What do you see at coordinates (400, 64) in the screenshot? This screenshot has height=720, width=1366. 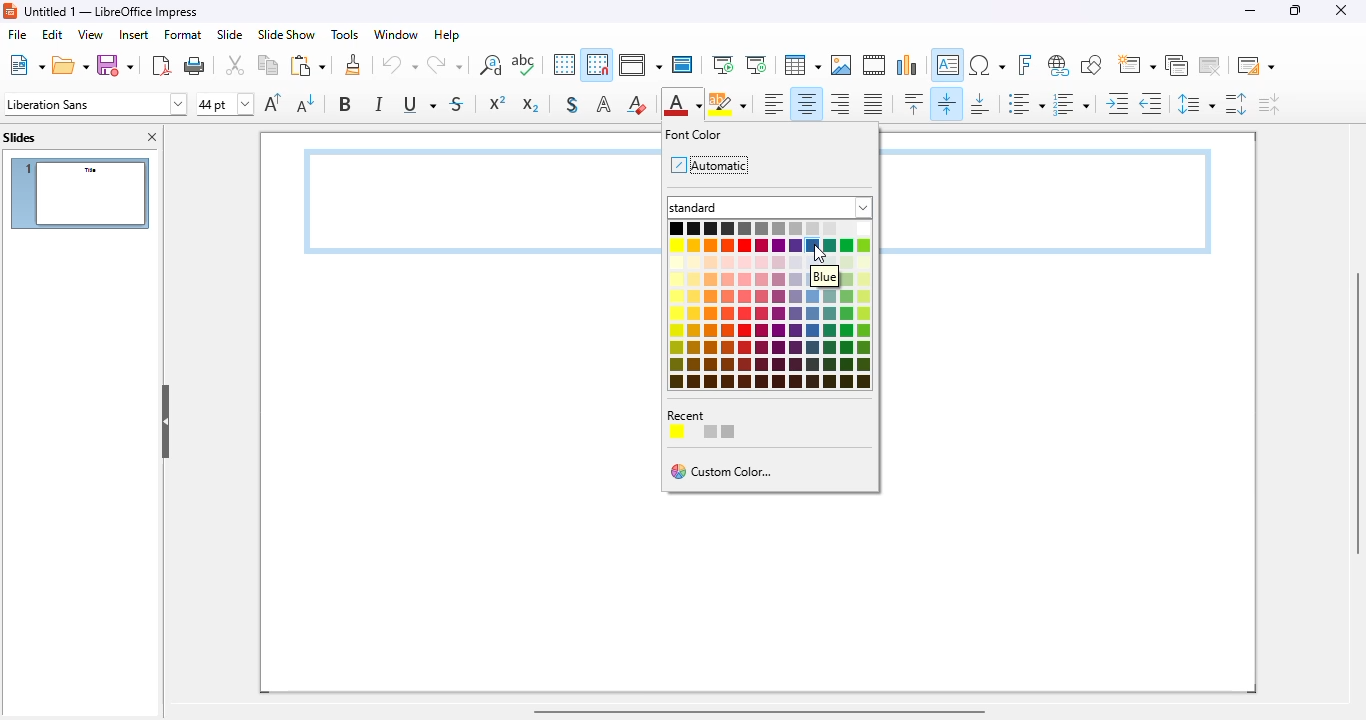 I see `undo` at bounding box center [400, 64].